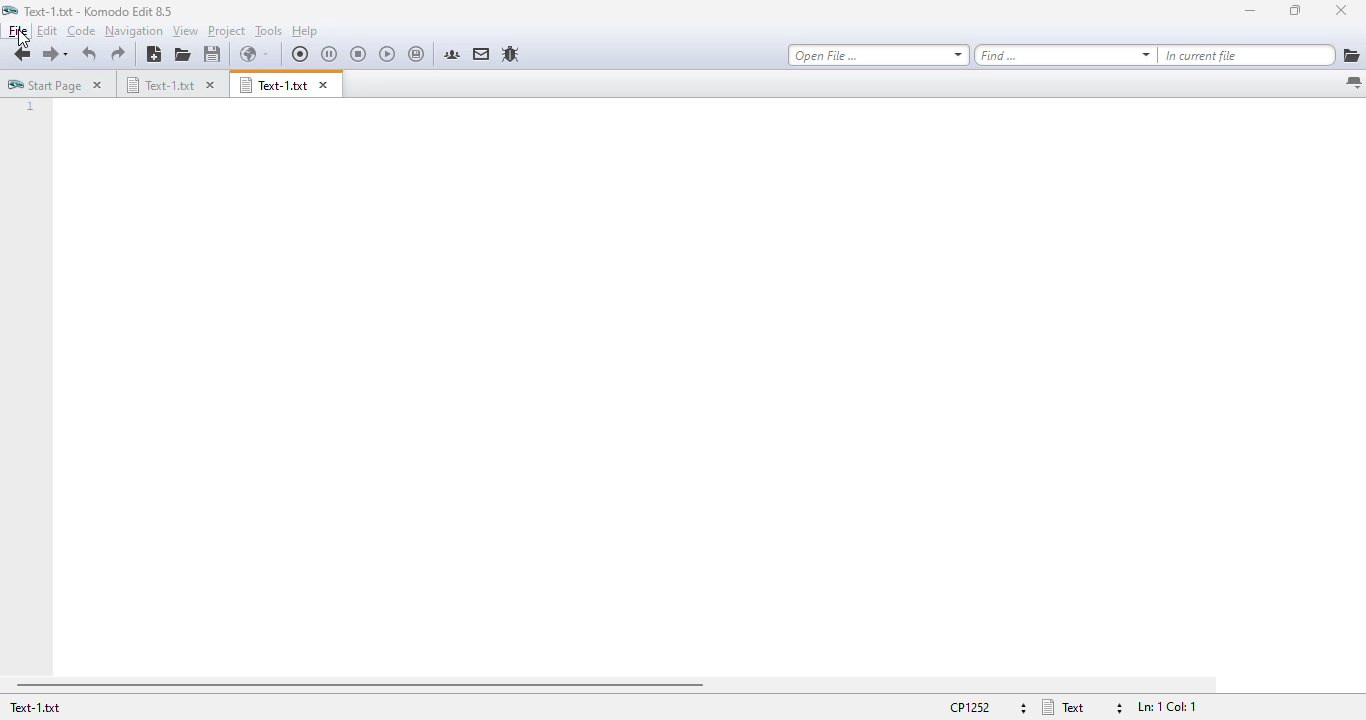 The height and width of the screenshot is (720, 1366). I want to click on file encoding, so click(985, 707).